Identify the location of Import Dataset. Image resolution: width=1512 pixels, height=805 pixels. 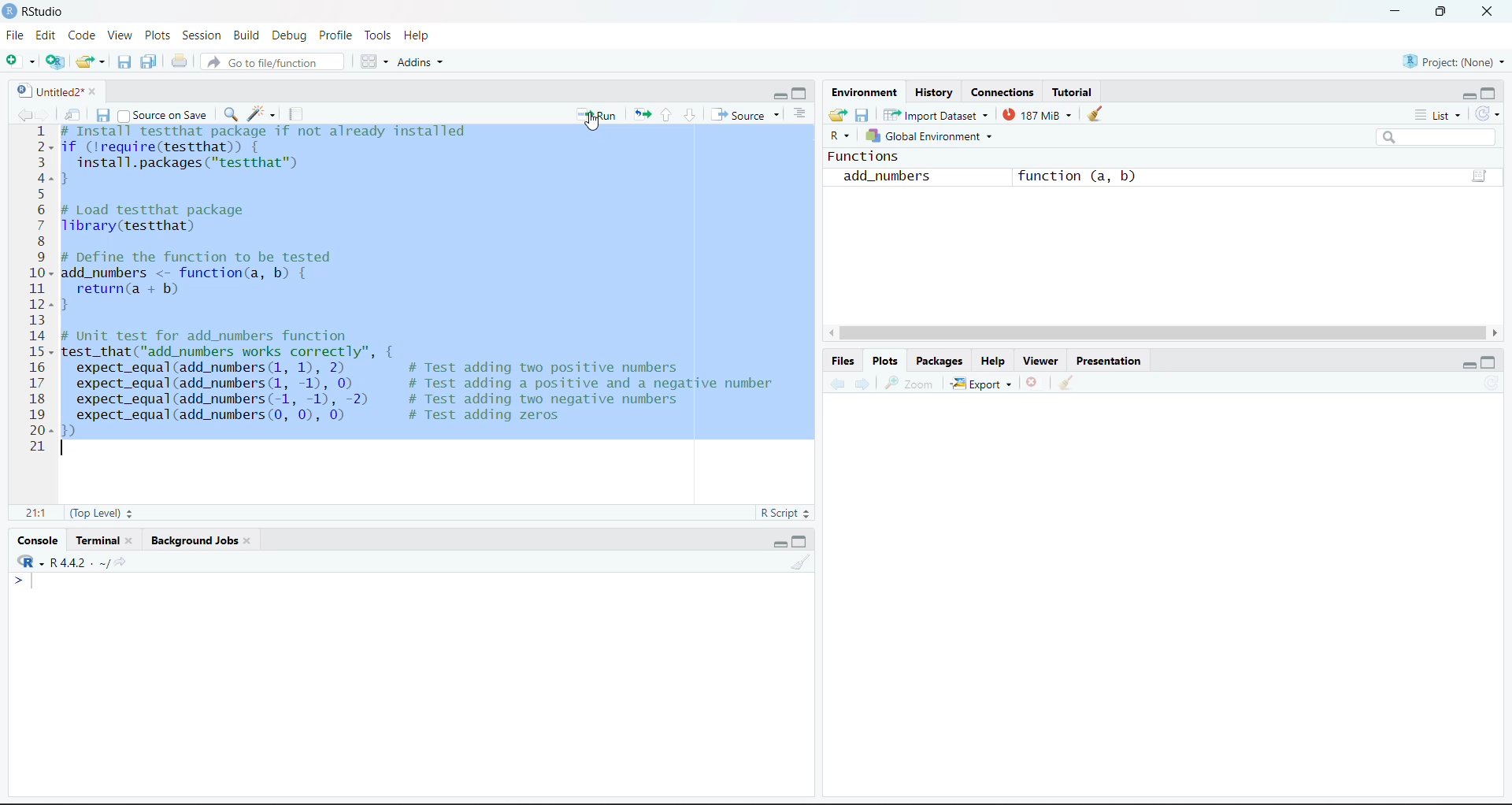
(936, 115).